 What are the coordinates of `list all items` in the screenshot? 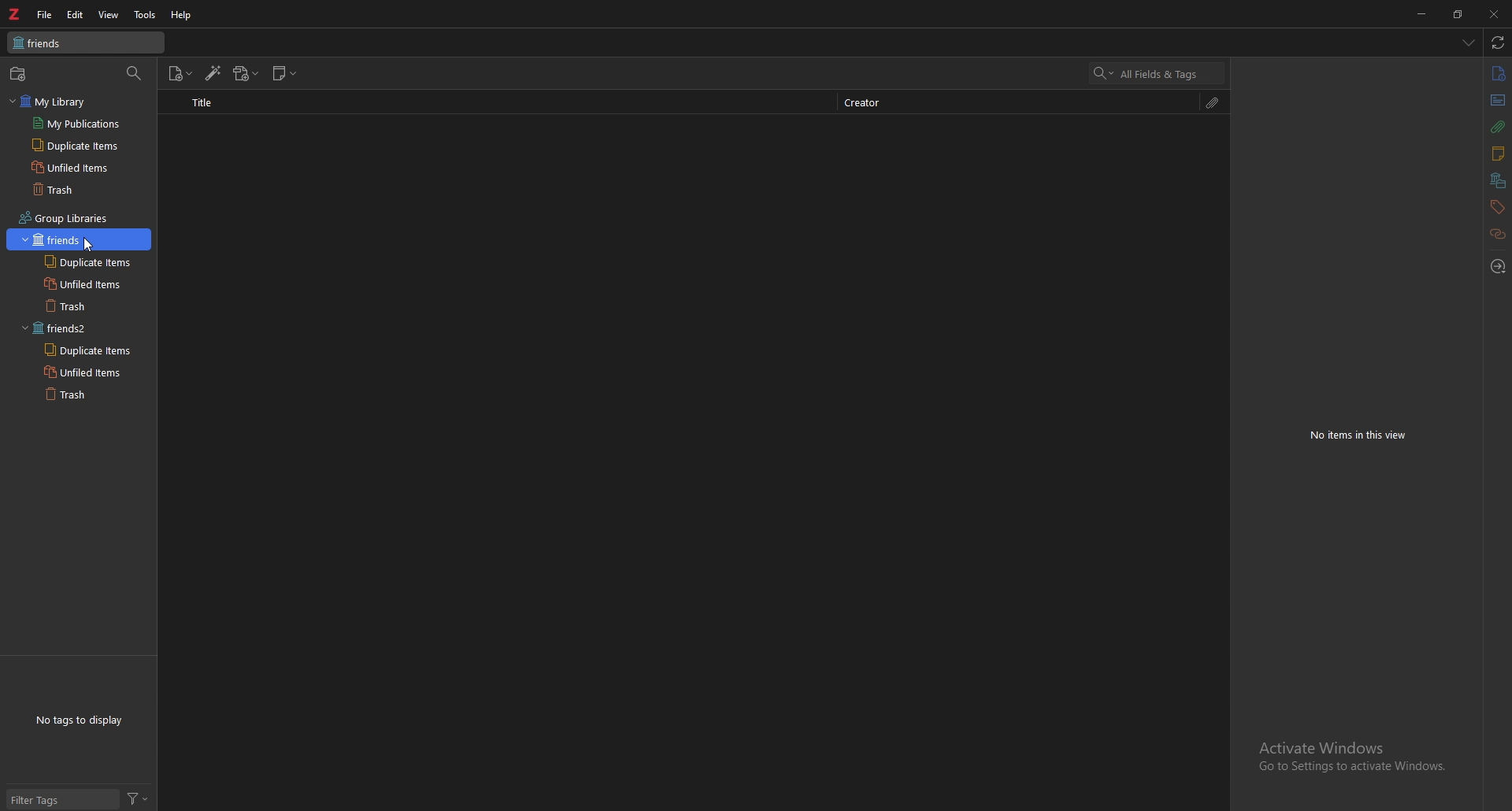 It's located at (1468, 43).